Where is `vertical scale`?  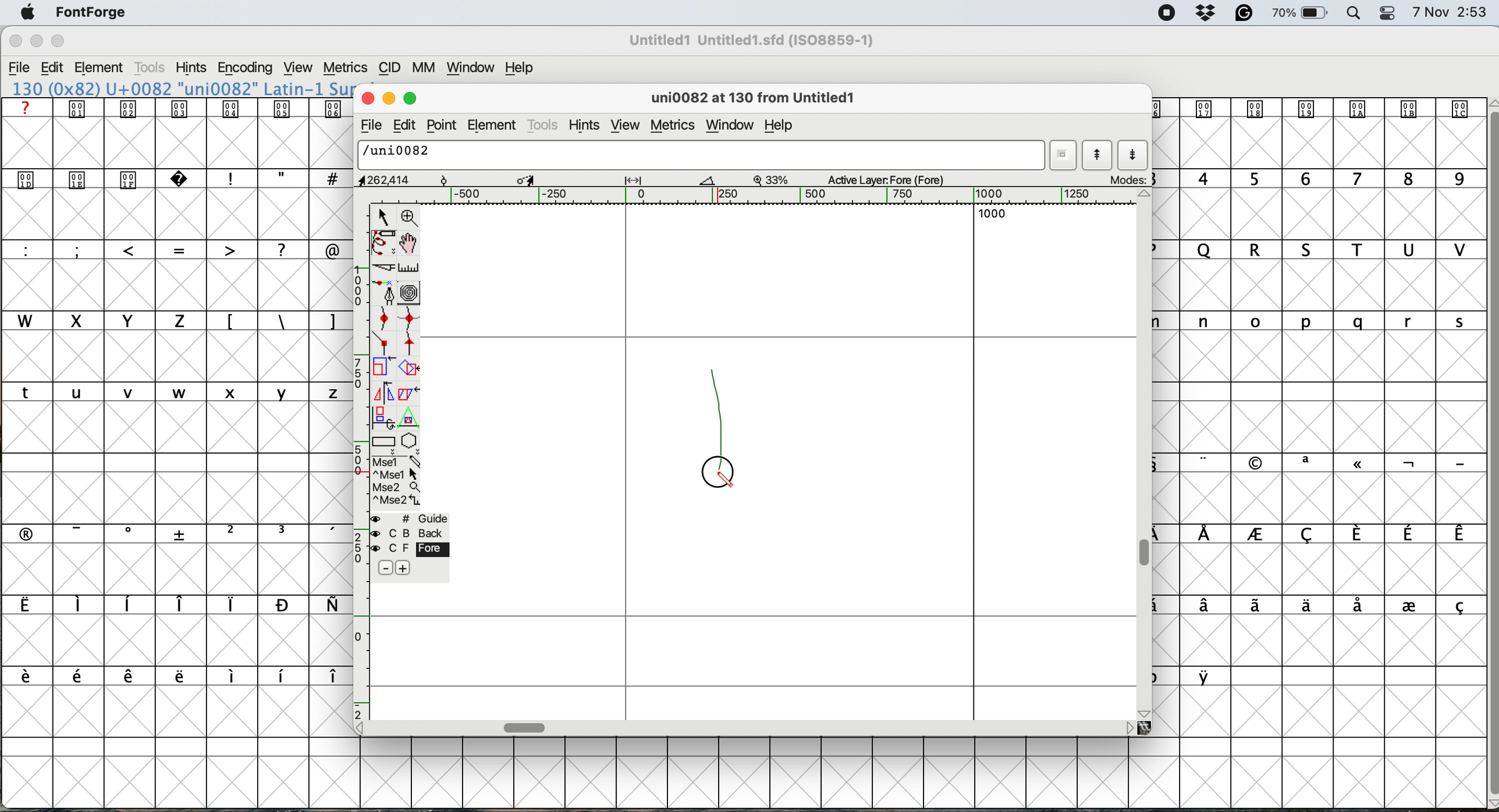
vertical scale is located at coordinates (358, 461).